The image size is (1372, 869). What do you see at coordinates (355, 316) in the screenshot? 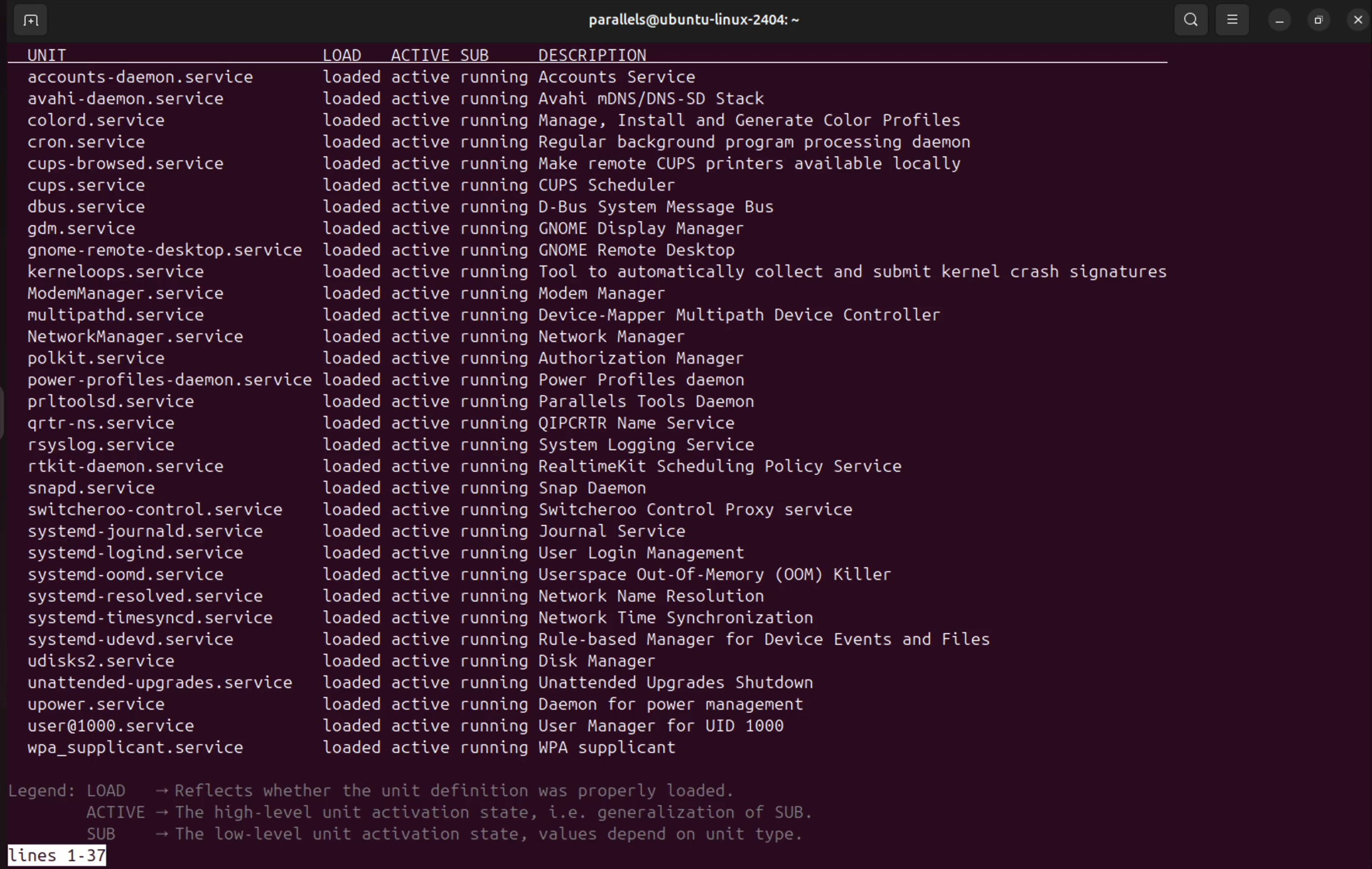
I see `loaded` at bounding box center [355, 316].